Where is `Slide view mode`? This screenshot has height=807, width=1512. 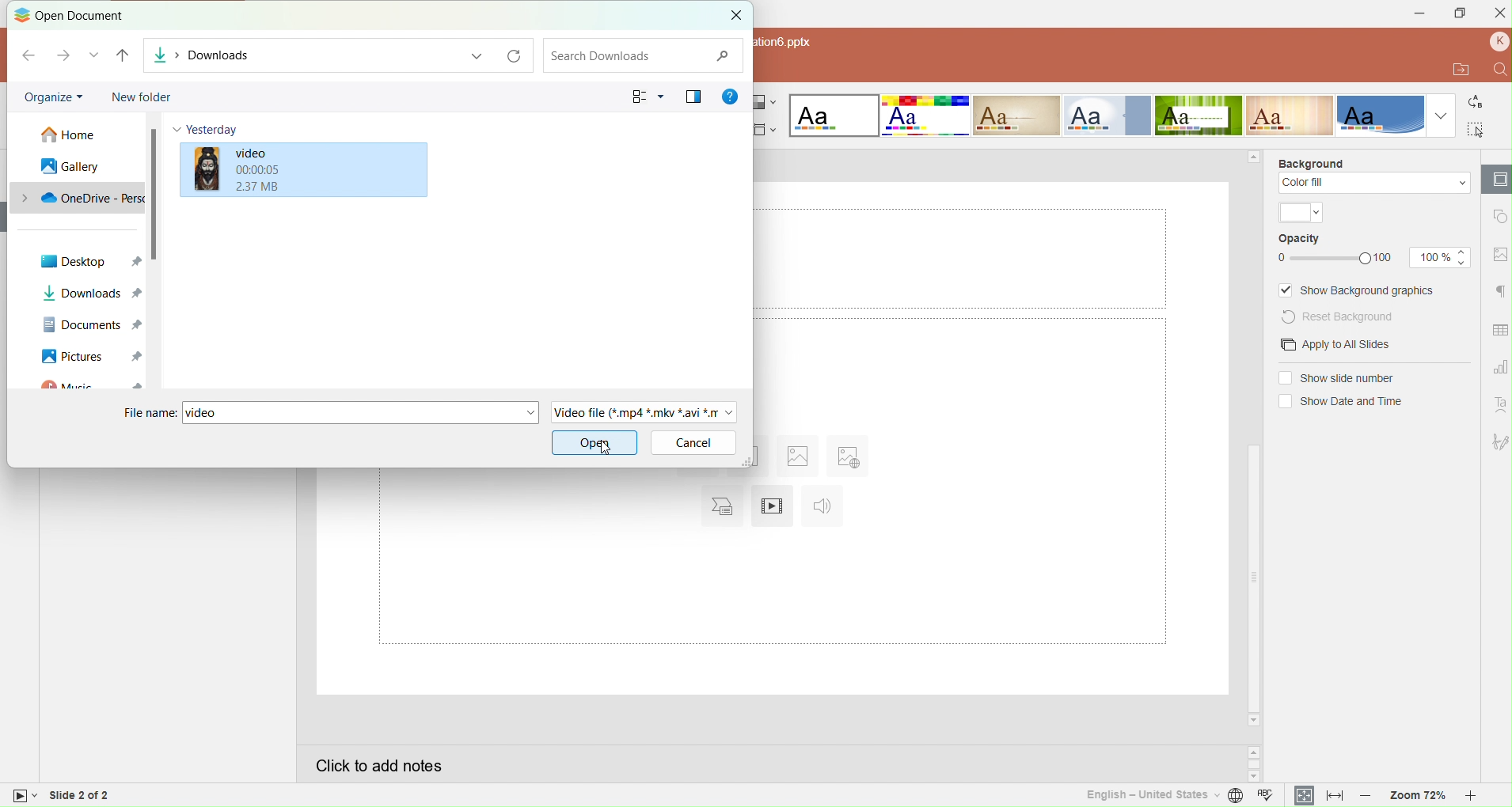
Slide view mode is located at coordinates (20, 794).